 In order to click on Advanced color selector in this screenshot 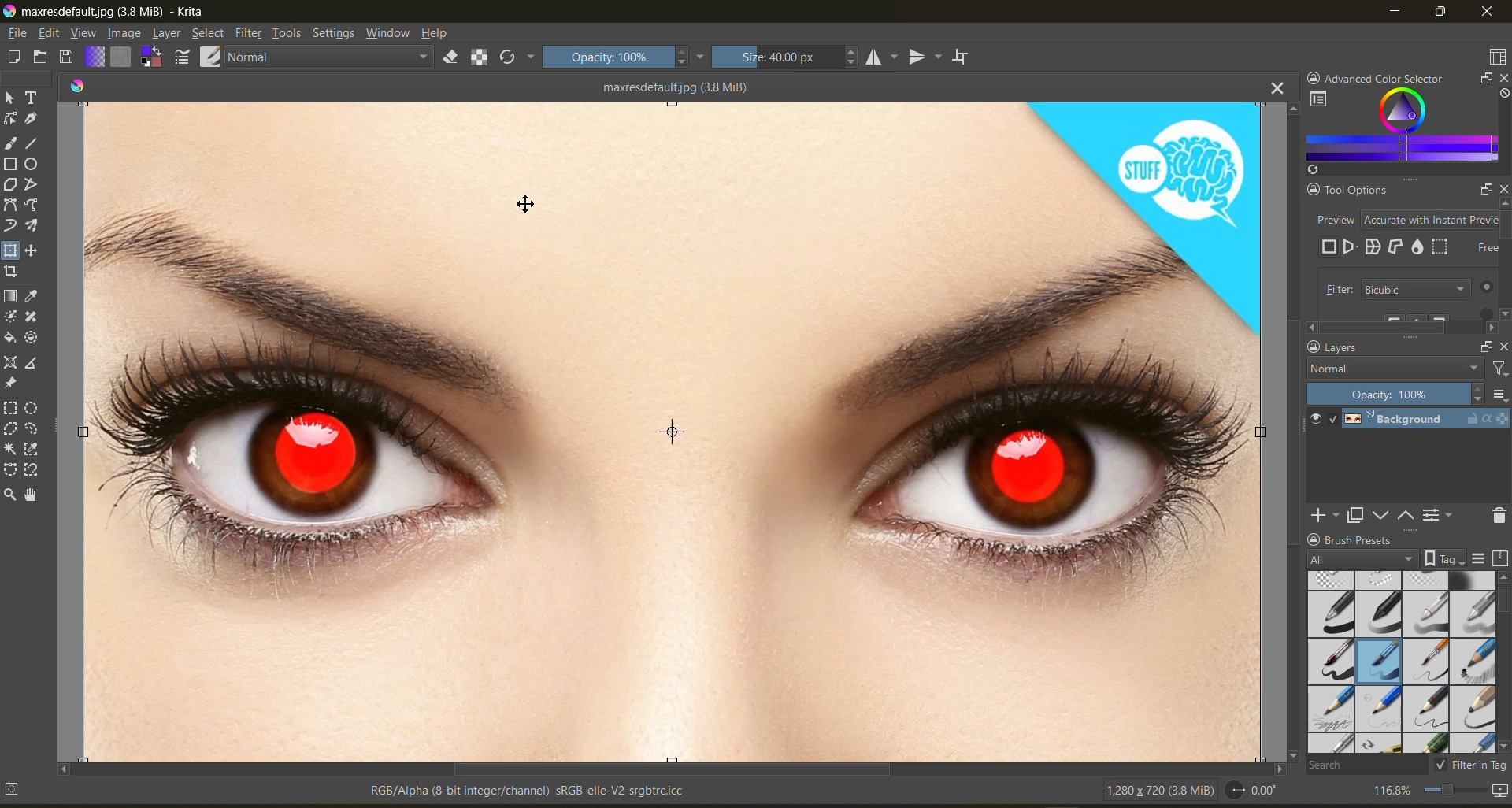, I will do `click(1390, 75)`.